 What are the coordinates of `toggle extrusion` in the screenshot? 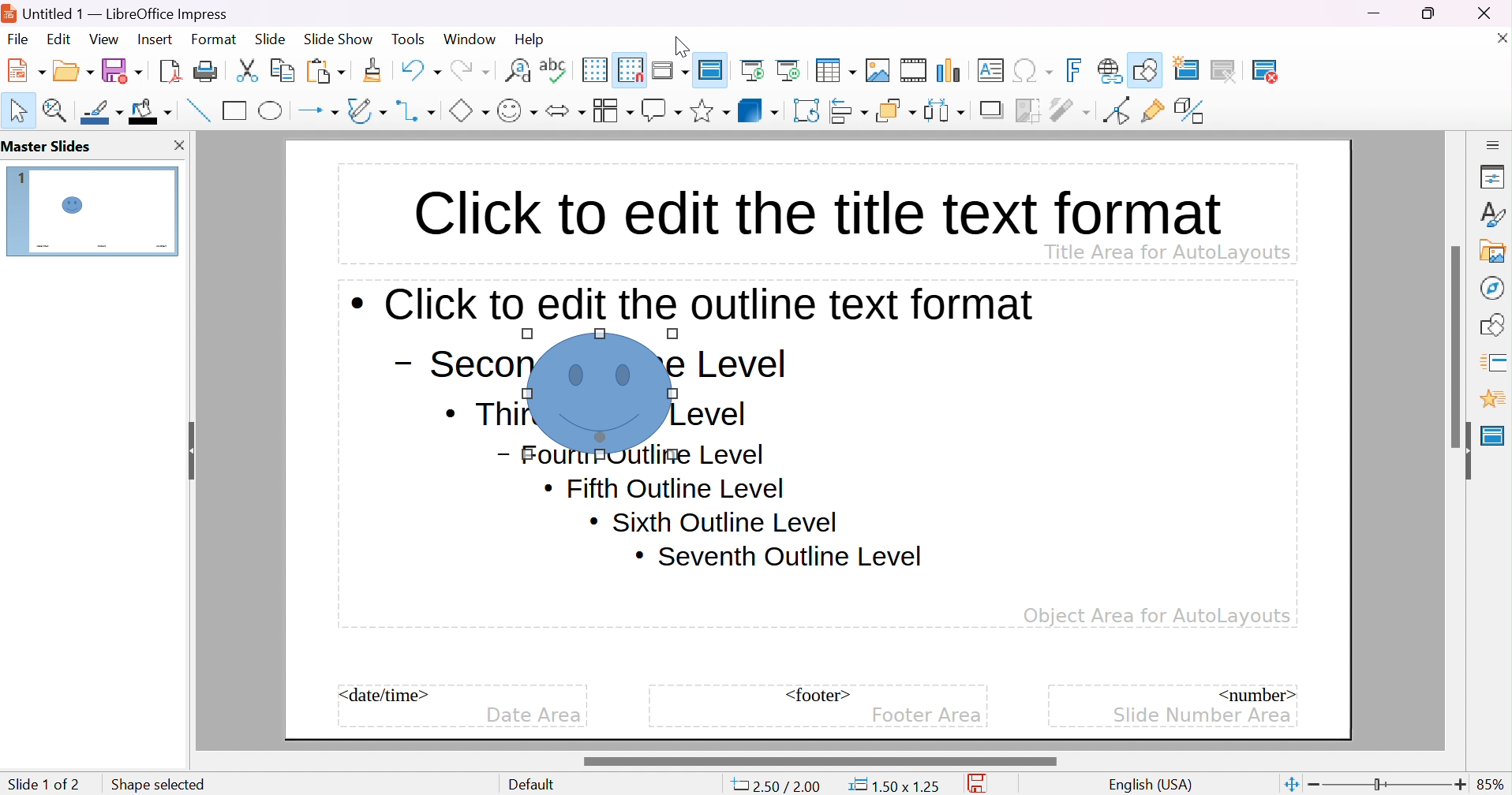 It's located at (1192, 110).